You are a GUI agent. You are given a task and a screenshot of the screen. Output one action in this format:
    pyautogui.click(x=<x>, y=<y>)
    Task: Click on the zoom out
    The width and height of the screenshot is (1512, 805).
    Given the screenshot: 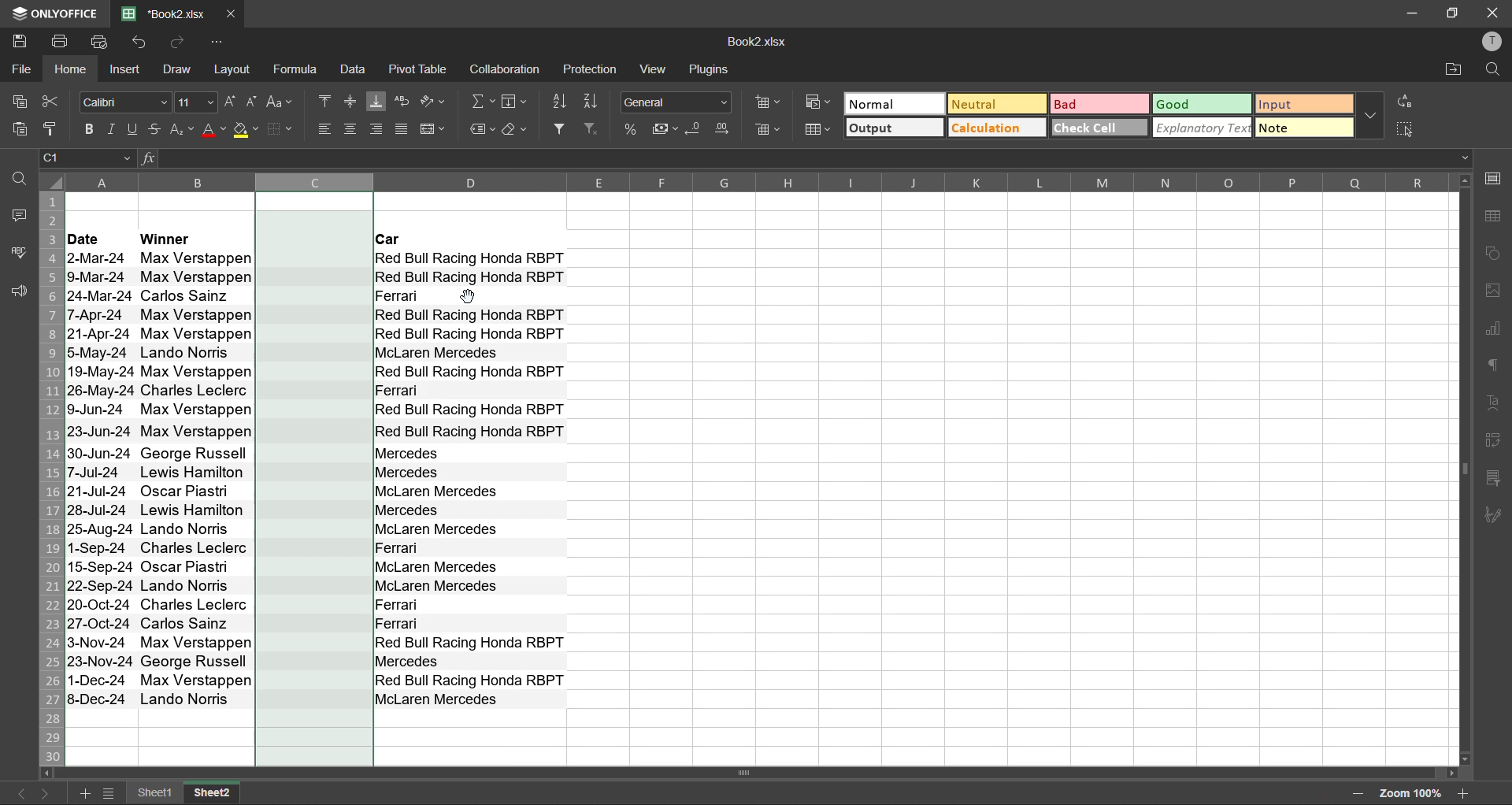 What is the action you would take?
    pyautogui.click(x=1354, y=793)
    